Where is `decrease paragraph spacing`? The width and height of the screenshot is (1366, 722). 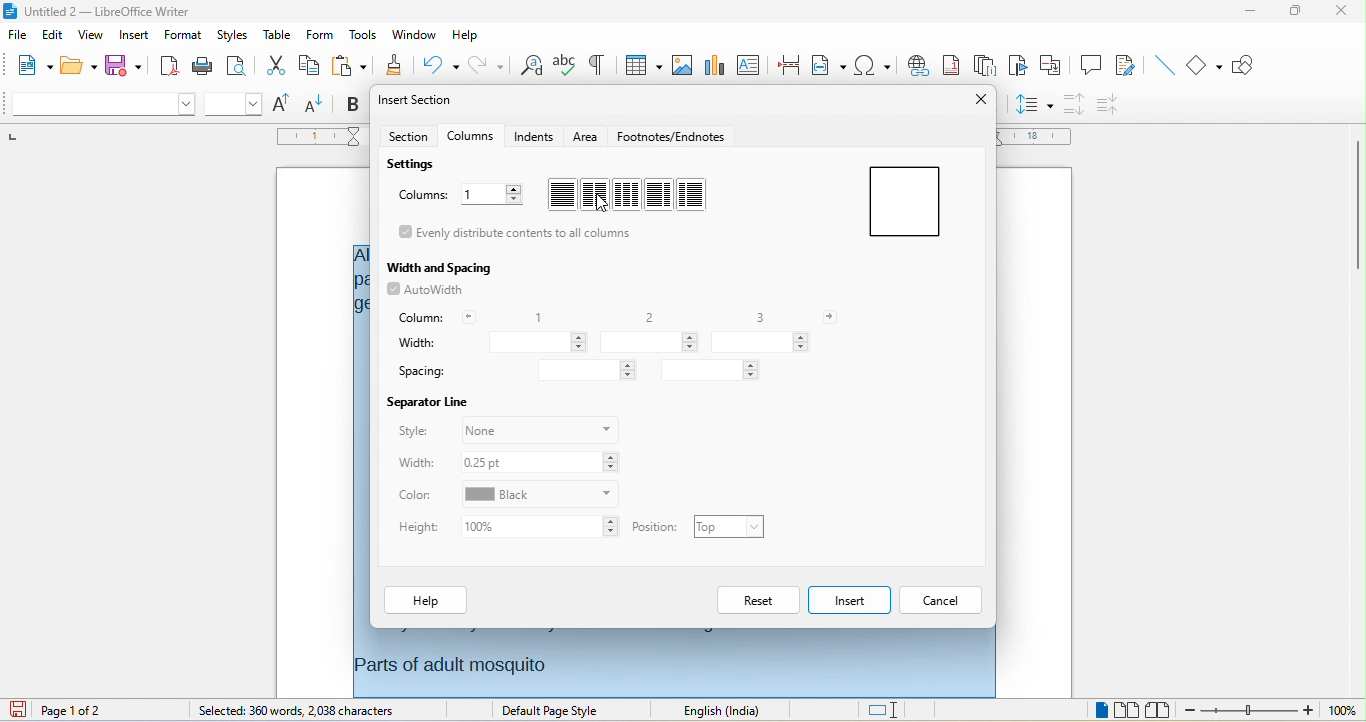
decrease paragraph spacing is located at coordinates (1110, 103).